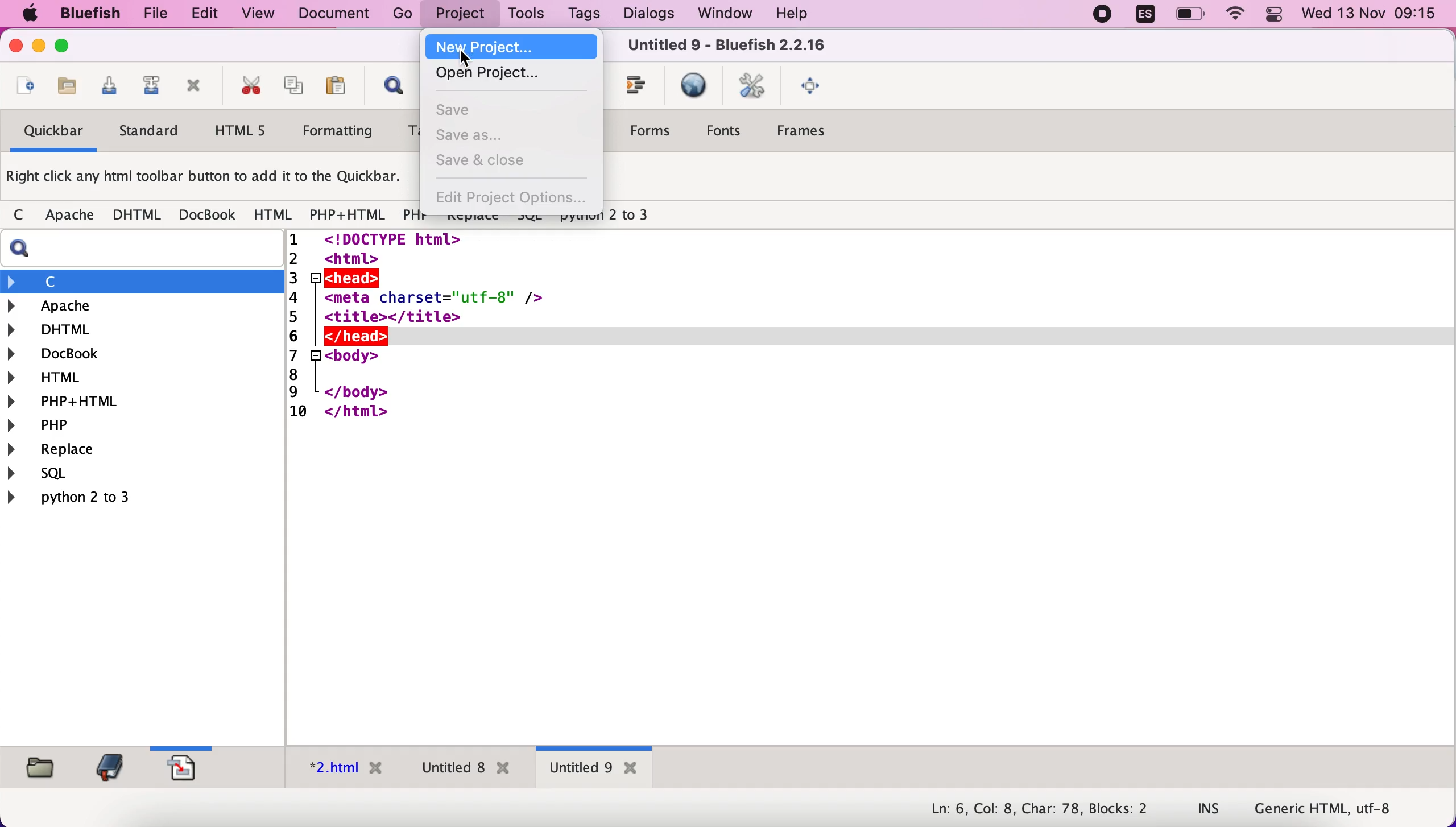 The image size is (1456, 827). What do you see at coordinates (511, 200) in the screenshot?
I see `edit project options` at bounding box center [511, 200].